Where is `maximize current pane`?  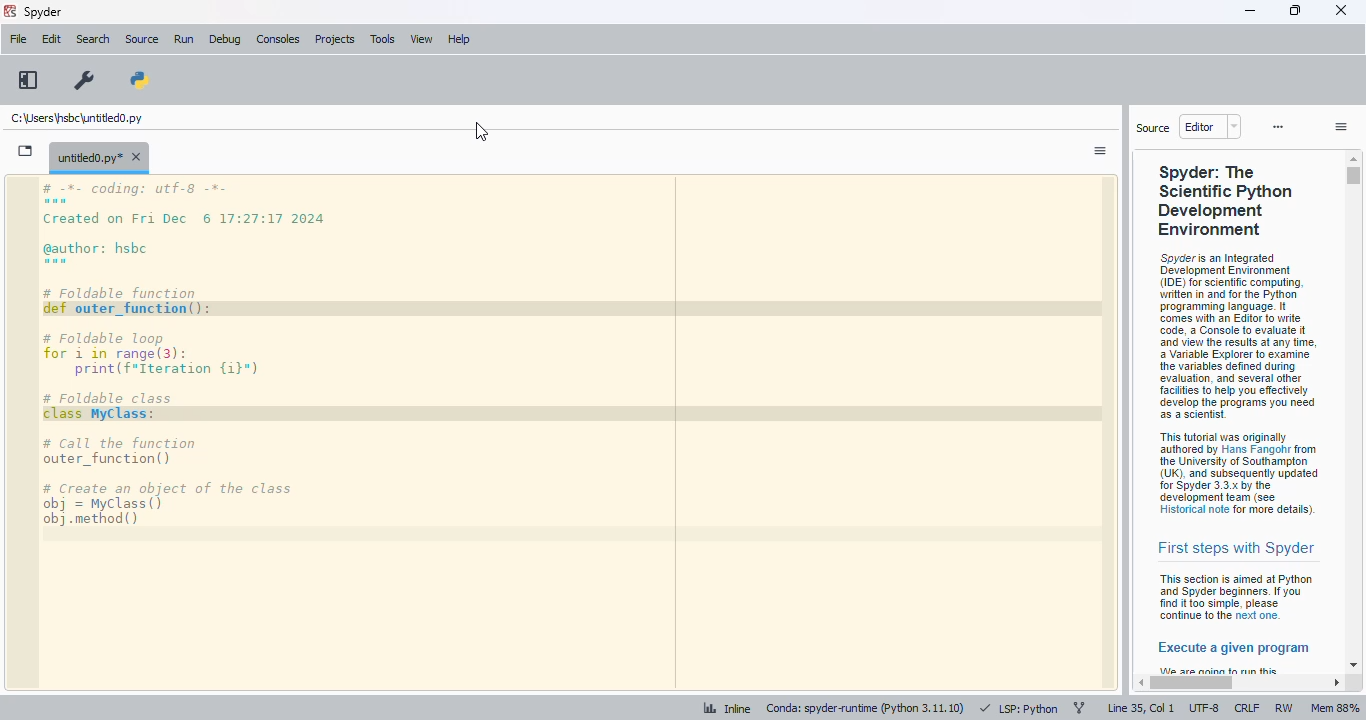 maximize current pane is located at coordinates (28, 80).